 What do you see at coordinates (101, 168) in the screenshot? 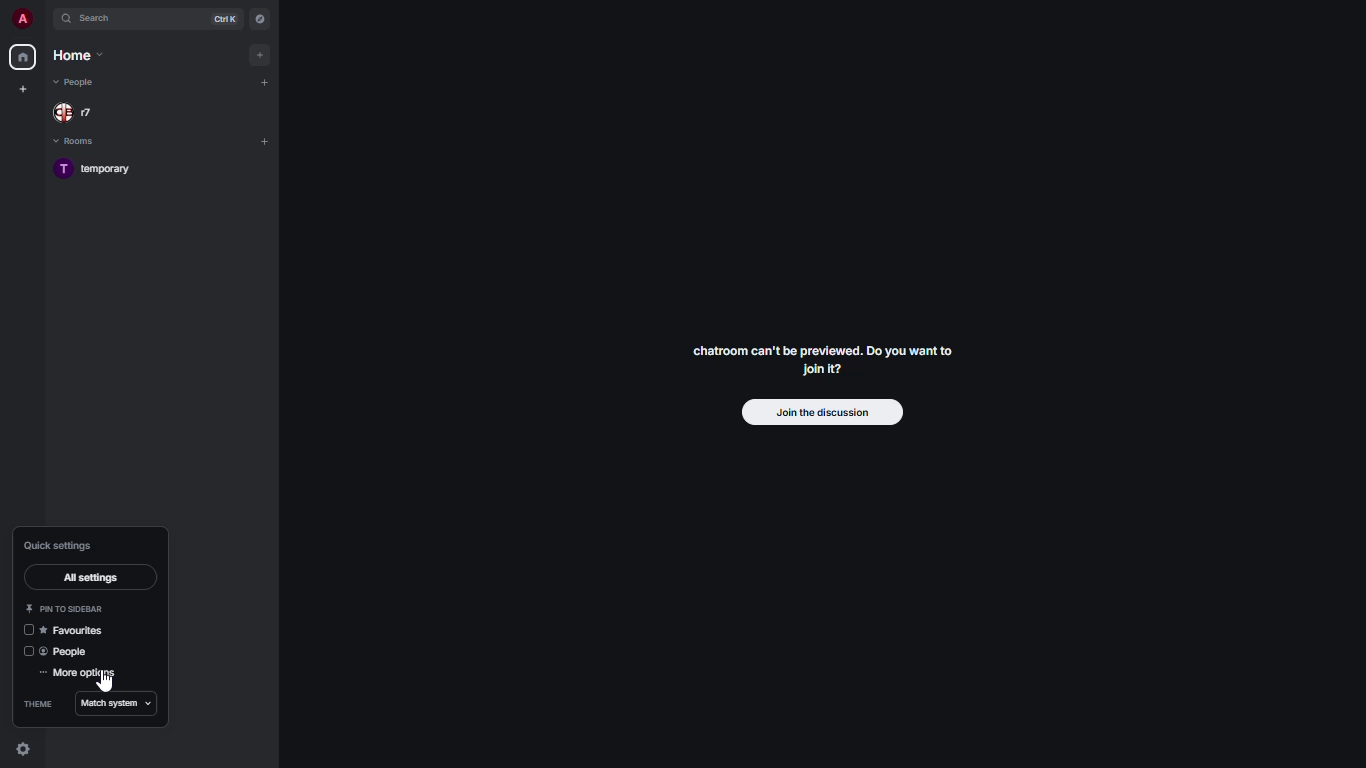
I see `room` at bounding box center [101, 168].